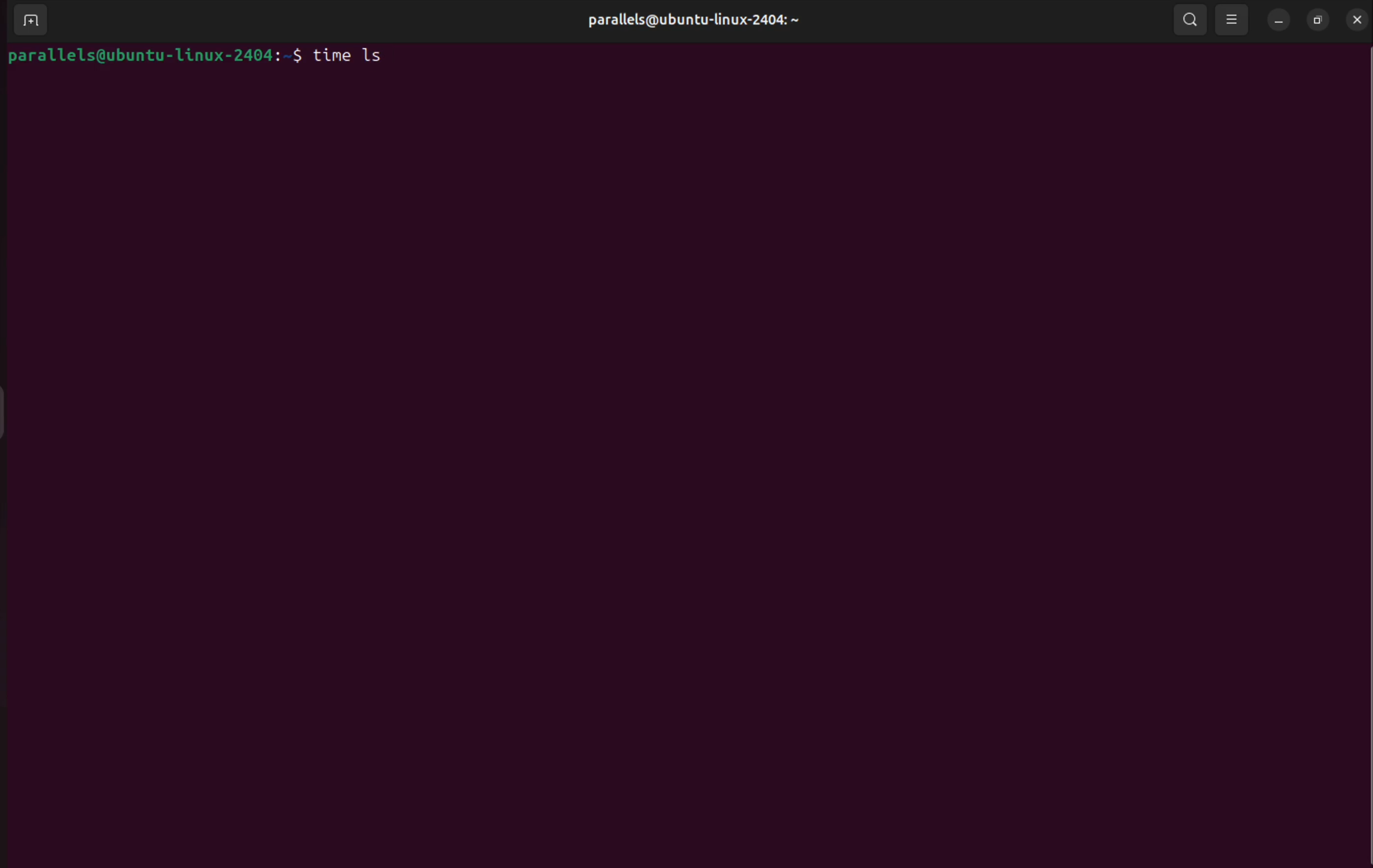  What do you see at coordinates (1277, 21) in the screenshot?
I see `minimize` at bounding box center [1277, 21].